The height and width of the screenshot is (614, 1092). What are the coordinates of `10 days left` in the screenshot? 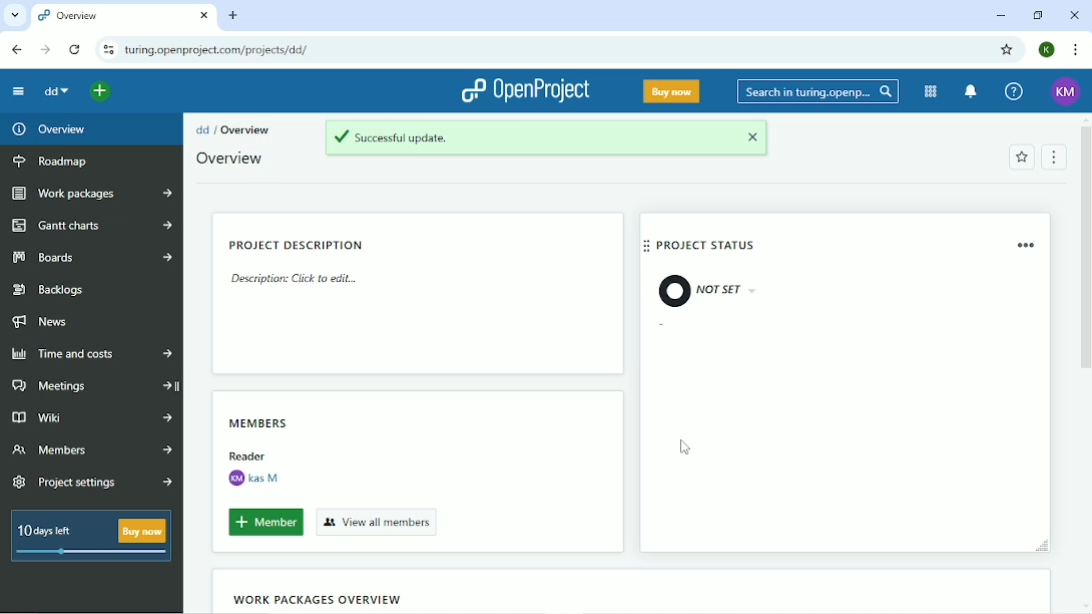 It's located at (89, 538).